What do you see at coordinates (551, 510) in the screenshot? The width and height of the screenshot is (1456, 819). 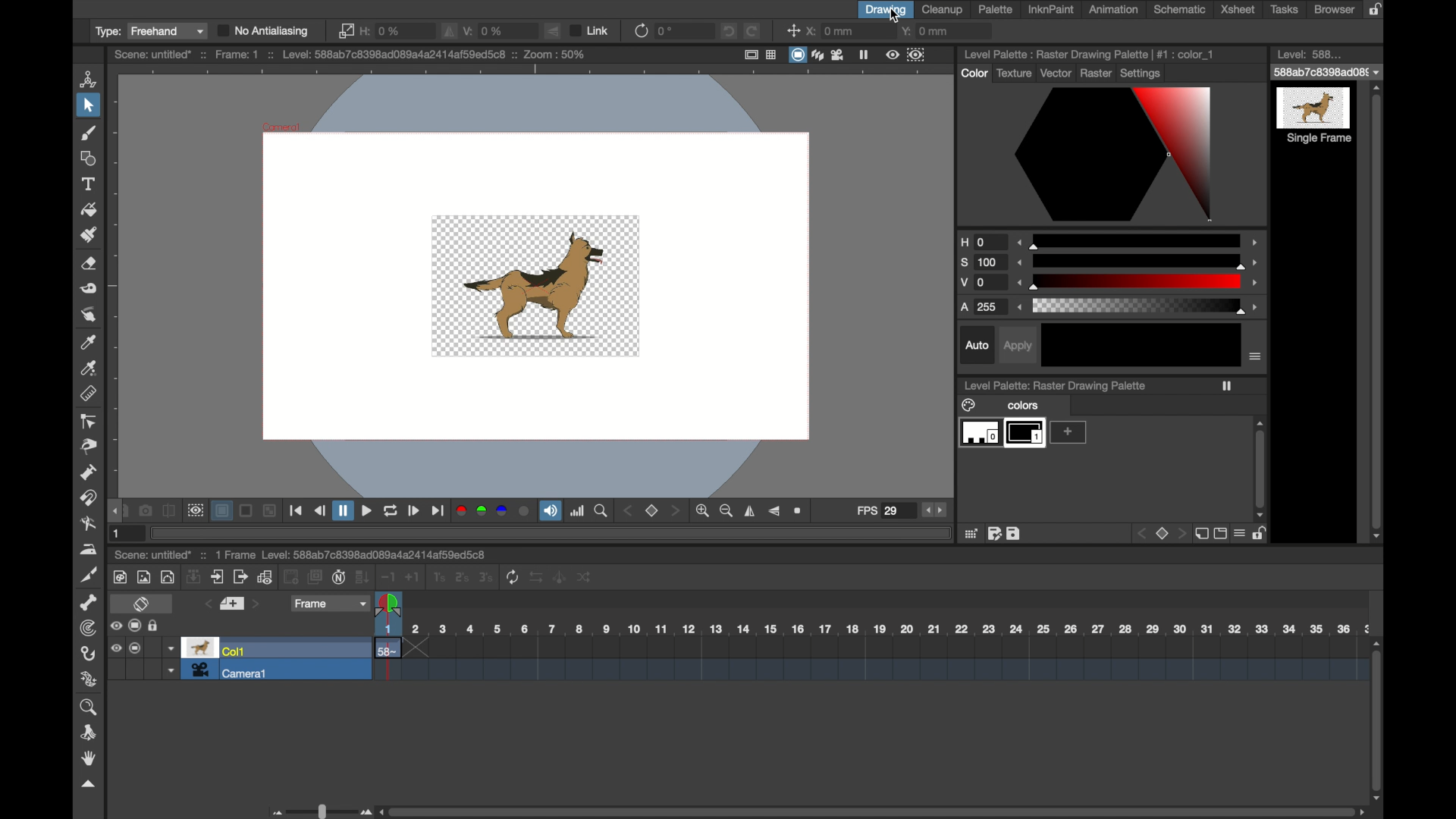 I see `soundtrack` at bounding box center [551, 510].